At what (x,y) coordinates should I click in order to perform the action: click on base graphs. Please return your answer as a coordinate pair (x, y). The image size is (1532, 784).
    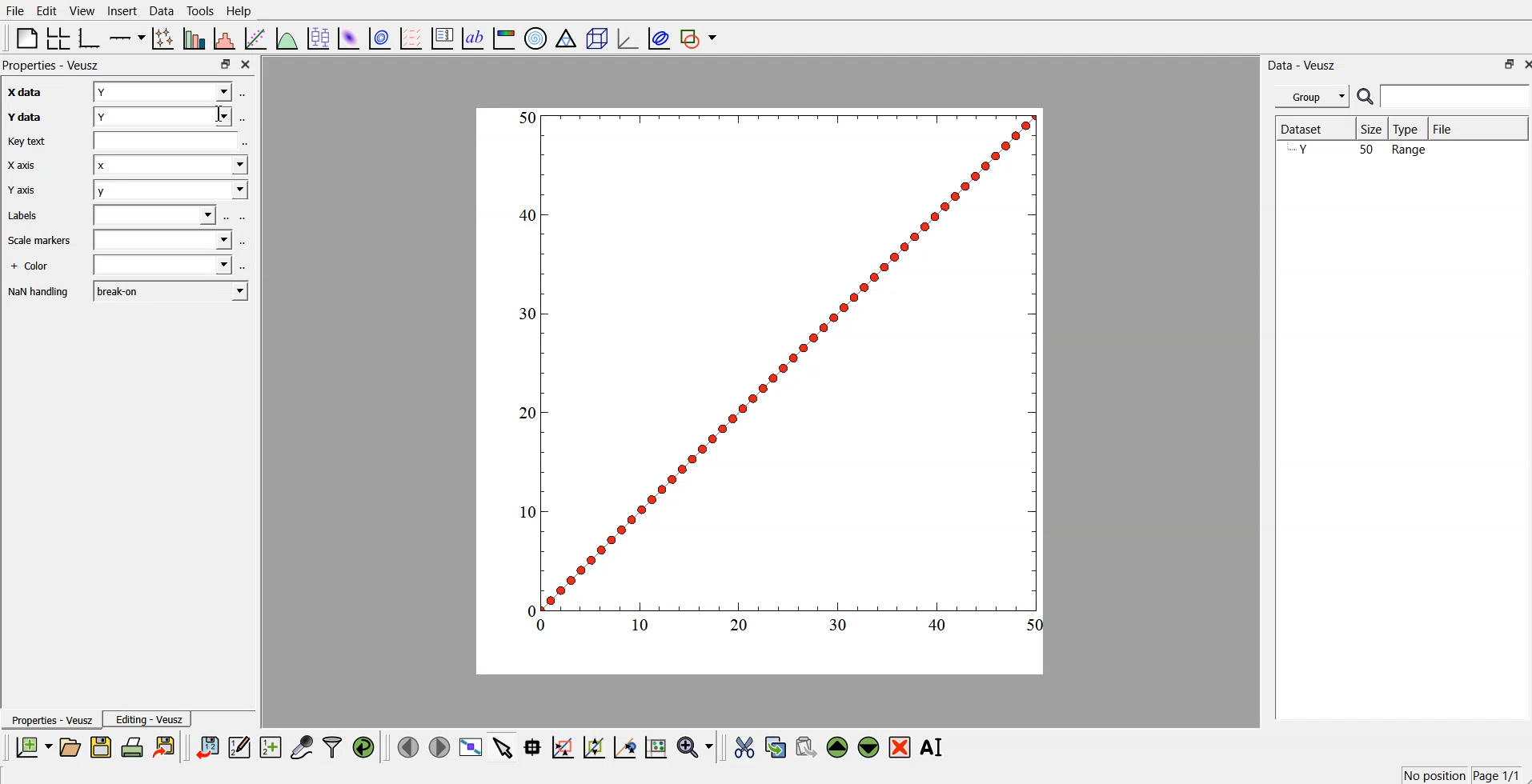
    Looking at the image, I should click on (92, 36).